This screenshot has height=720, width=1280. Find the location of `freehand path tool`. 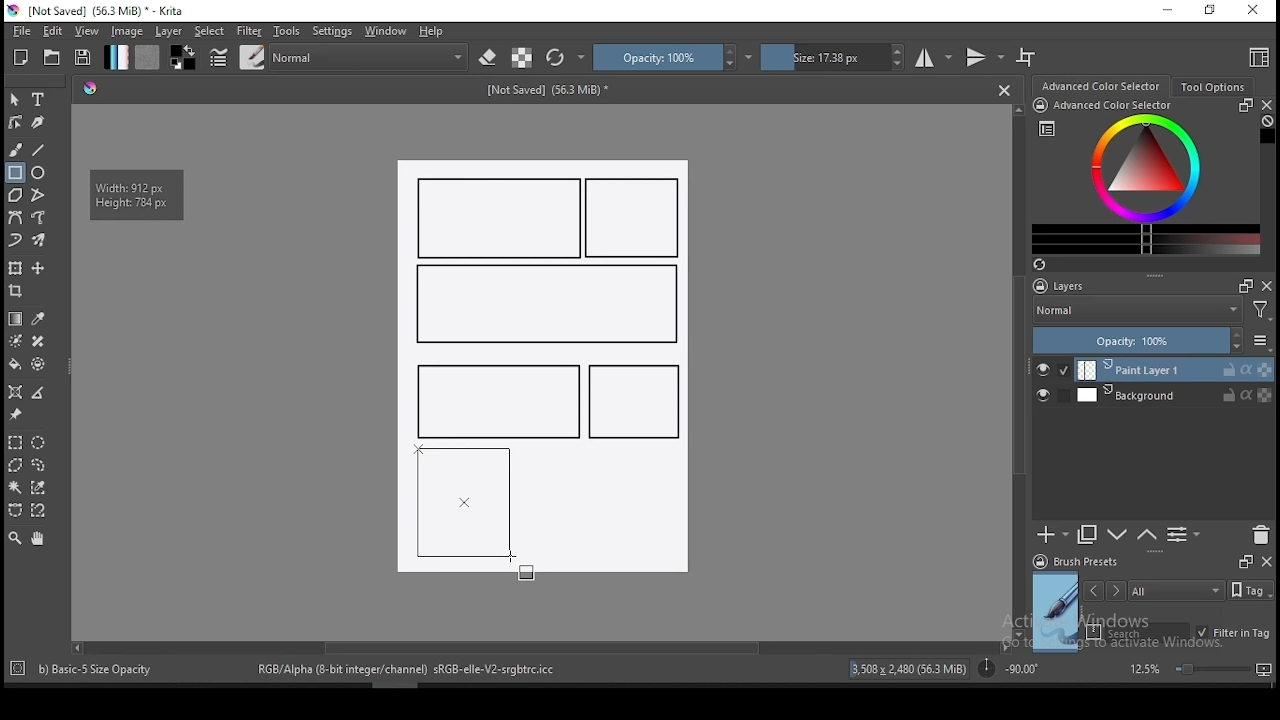

freehand path tool is located at coordinates (40, 218).